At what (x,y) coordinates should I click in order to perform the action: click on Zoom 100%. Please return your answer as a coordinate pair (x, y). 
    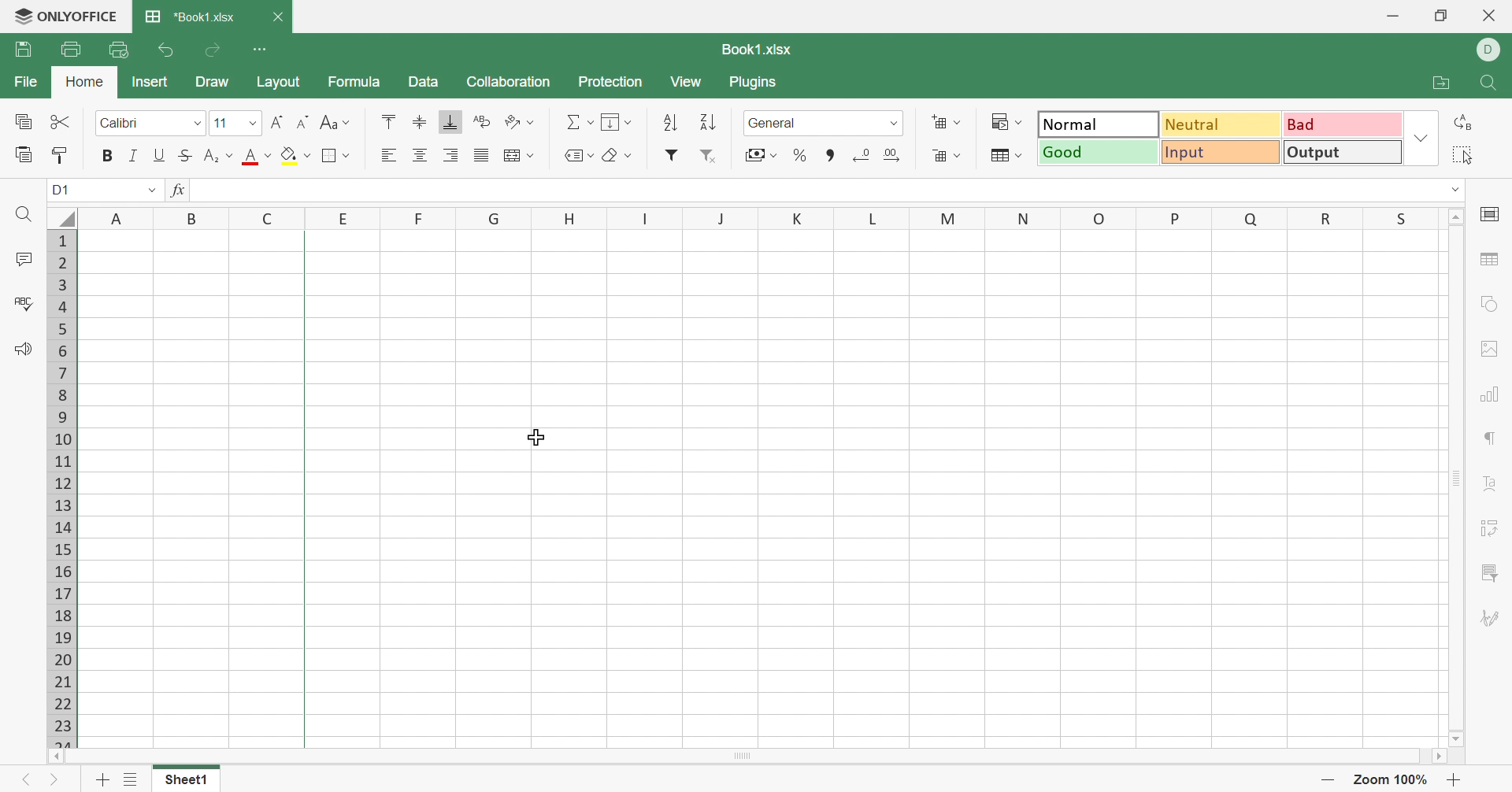
    Looking at the image, I should click on (1392, 779).